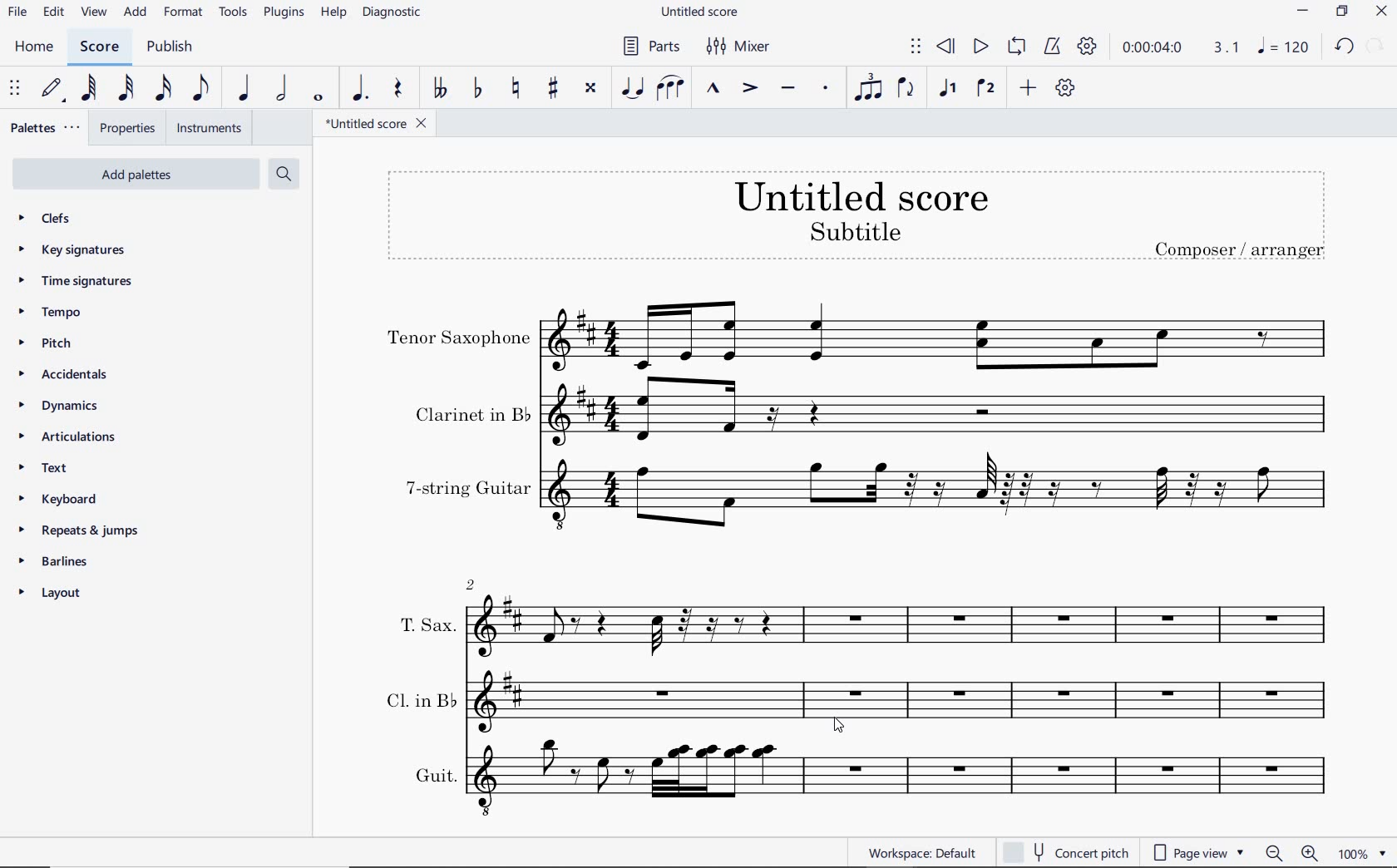 This screenshot has width=1397, height=868. I want to click on 7-string guitar, so click(861, 497).